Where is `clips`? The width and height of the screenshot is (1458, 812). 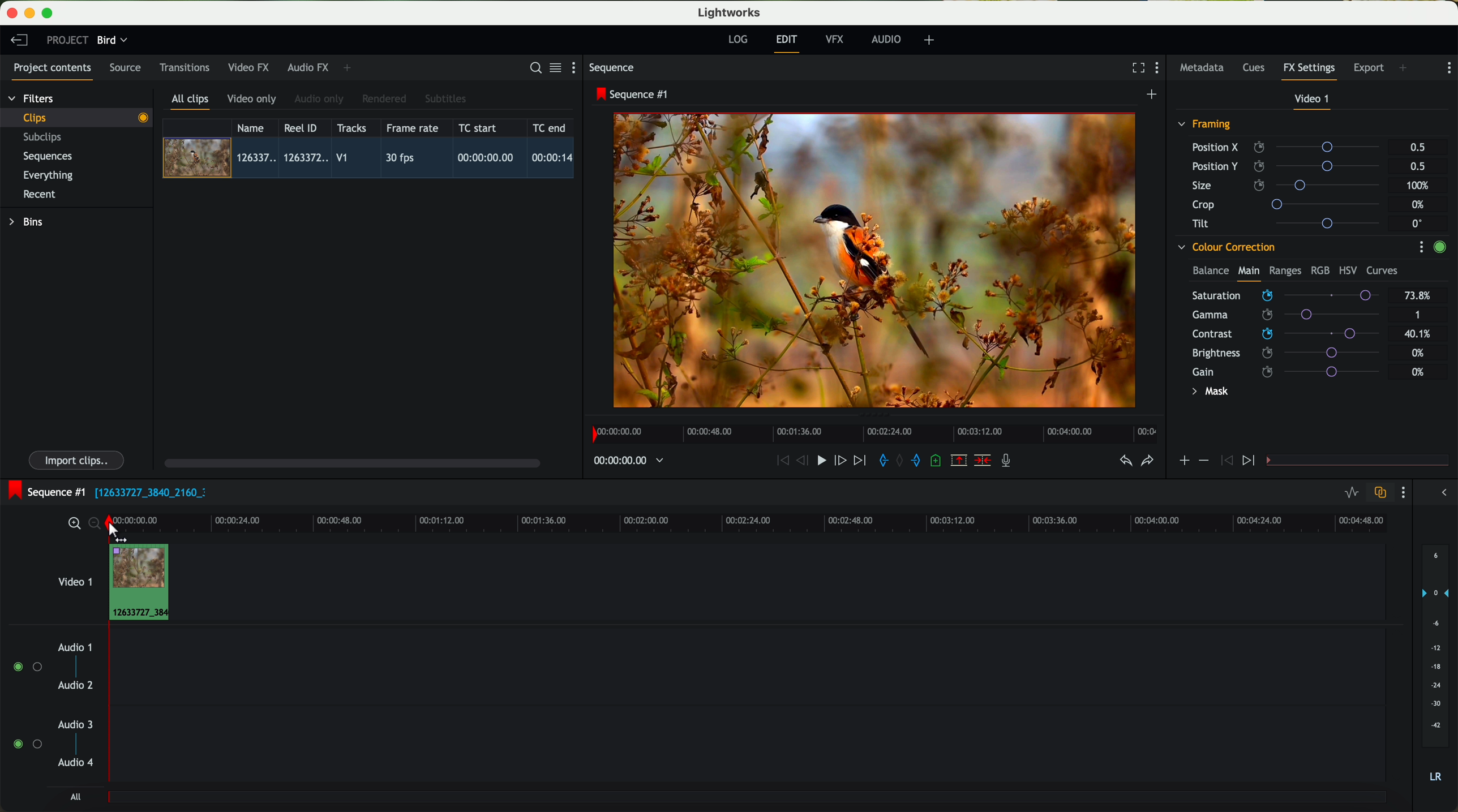
clips is located at coordinates (77, 117).